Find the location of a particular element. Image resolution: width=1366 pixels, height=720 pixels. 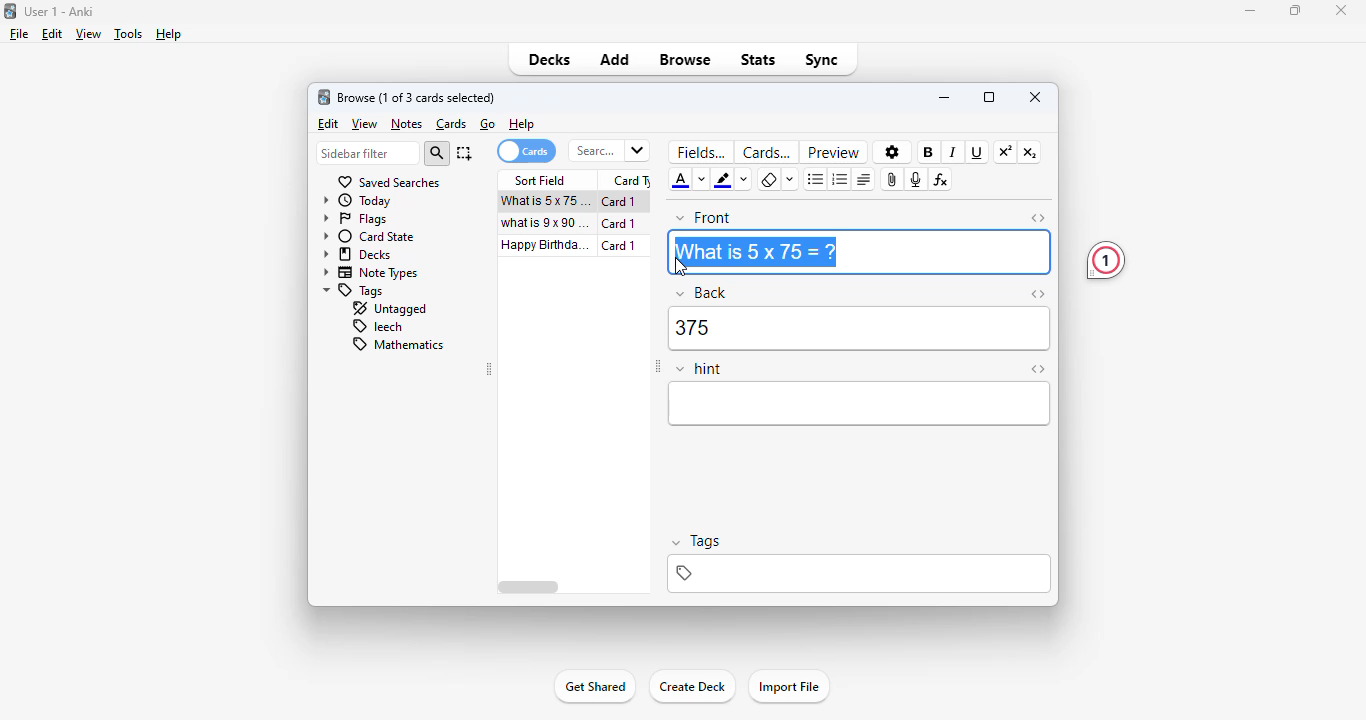

view is located at coordinates (365, 124).